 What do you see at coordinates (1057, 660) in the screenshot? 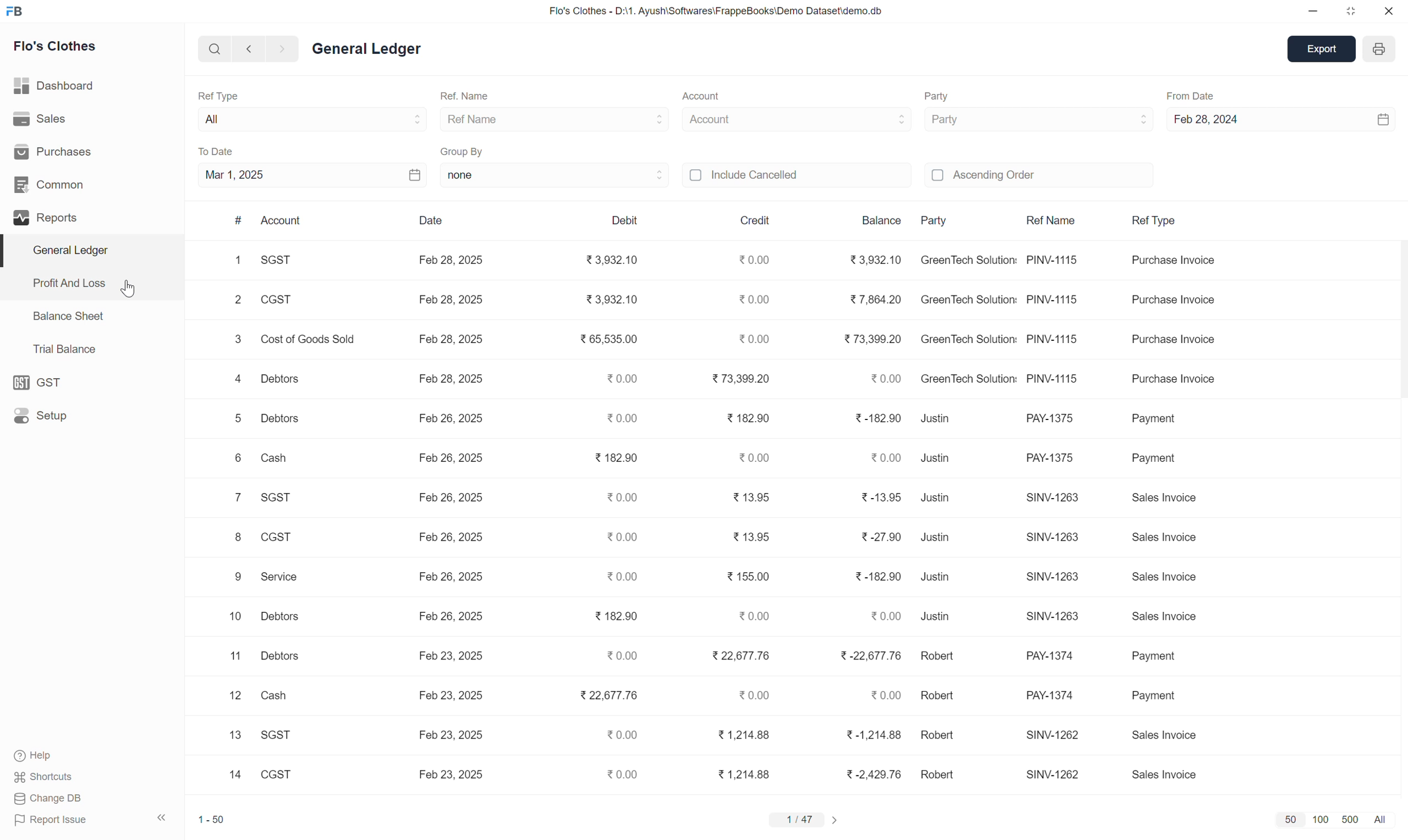
I see `PAY-1374` at bounding box center [1057, 660].